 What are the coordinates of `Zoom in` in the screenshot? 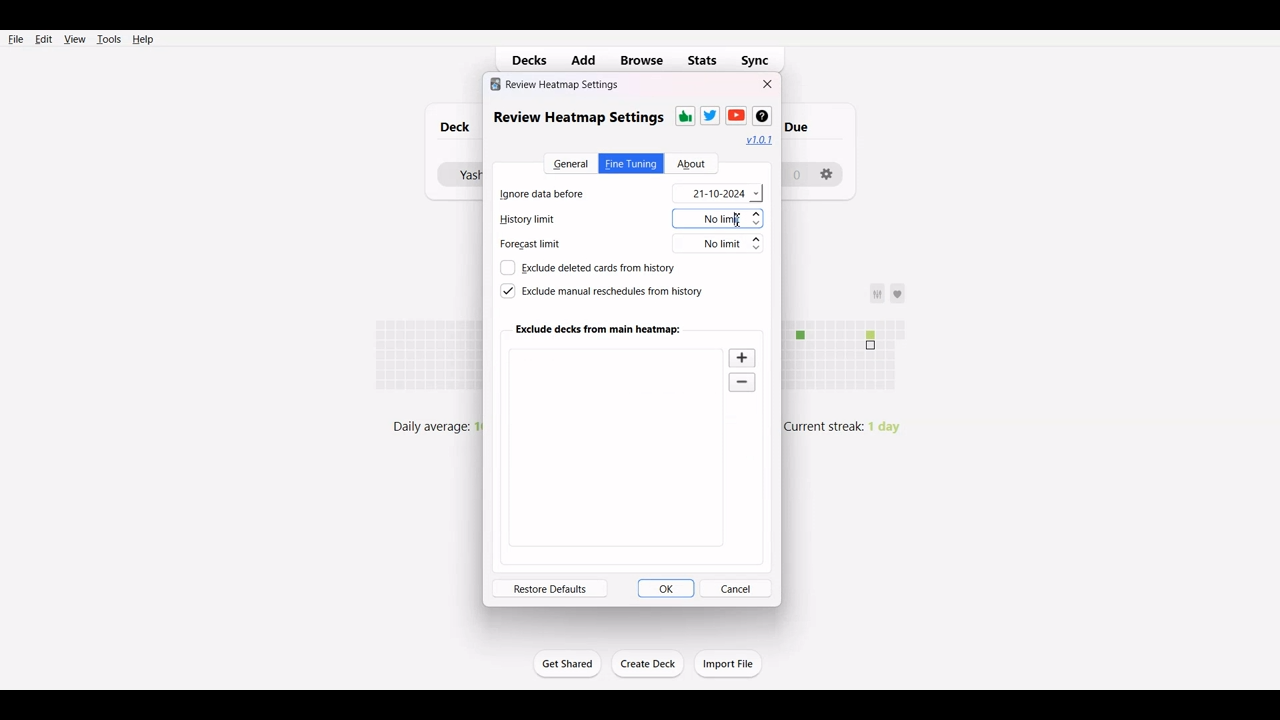 It's located at (743, 357).